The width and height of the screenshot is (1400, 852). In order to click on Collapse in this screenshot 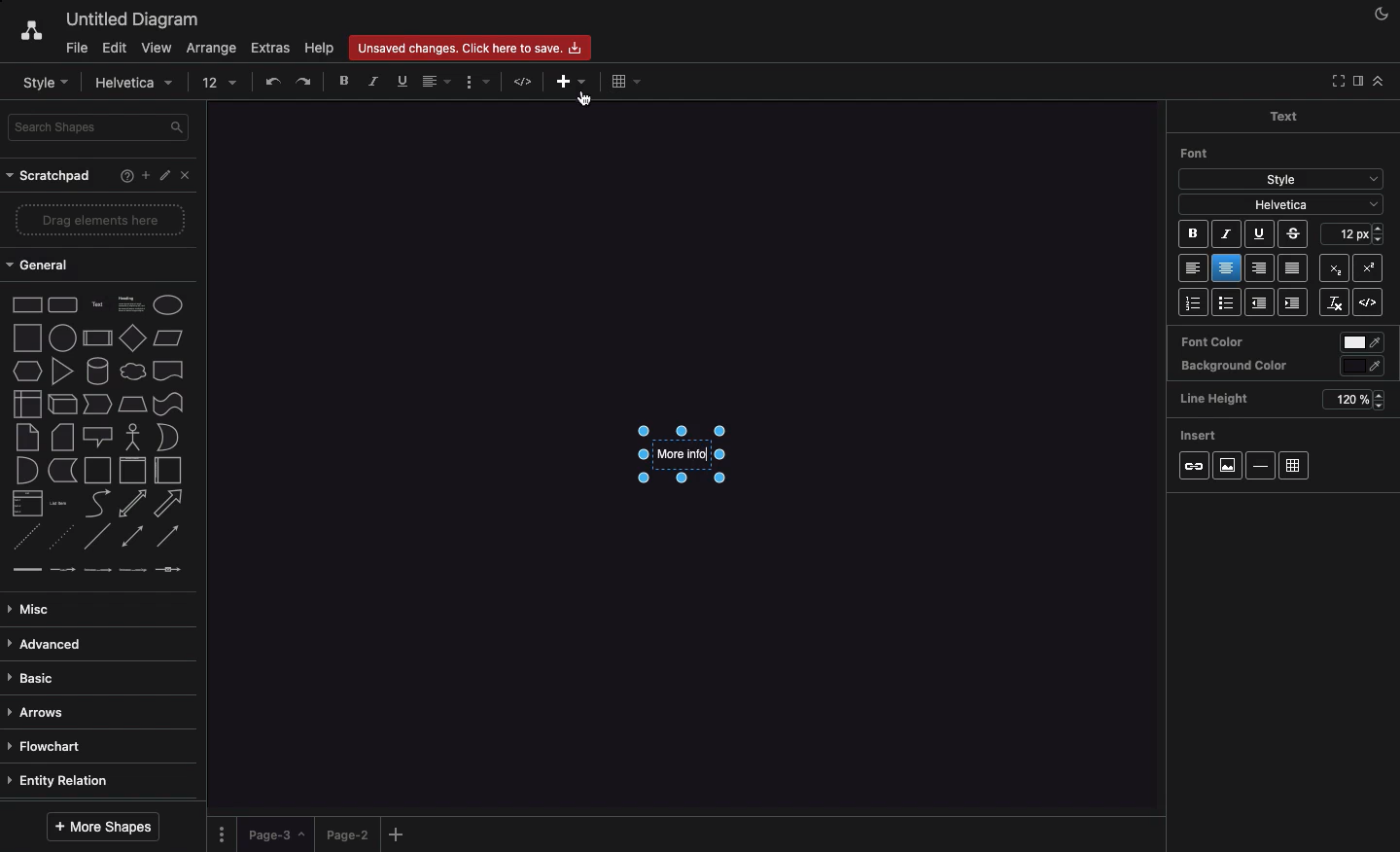, I will do `click(1378, 81)`.